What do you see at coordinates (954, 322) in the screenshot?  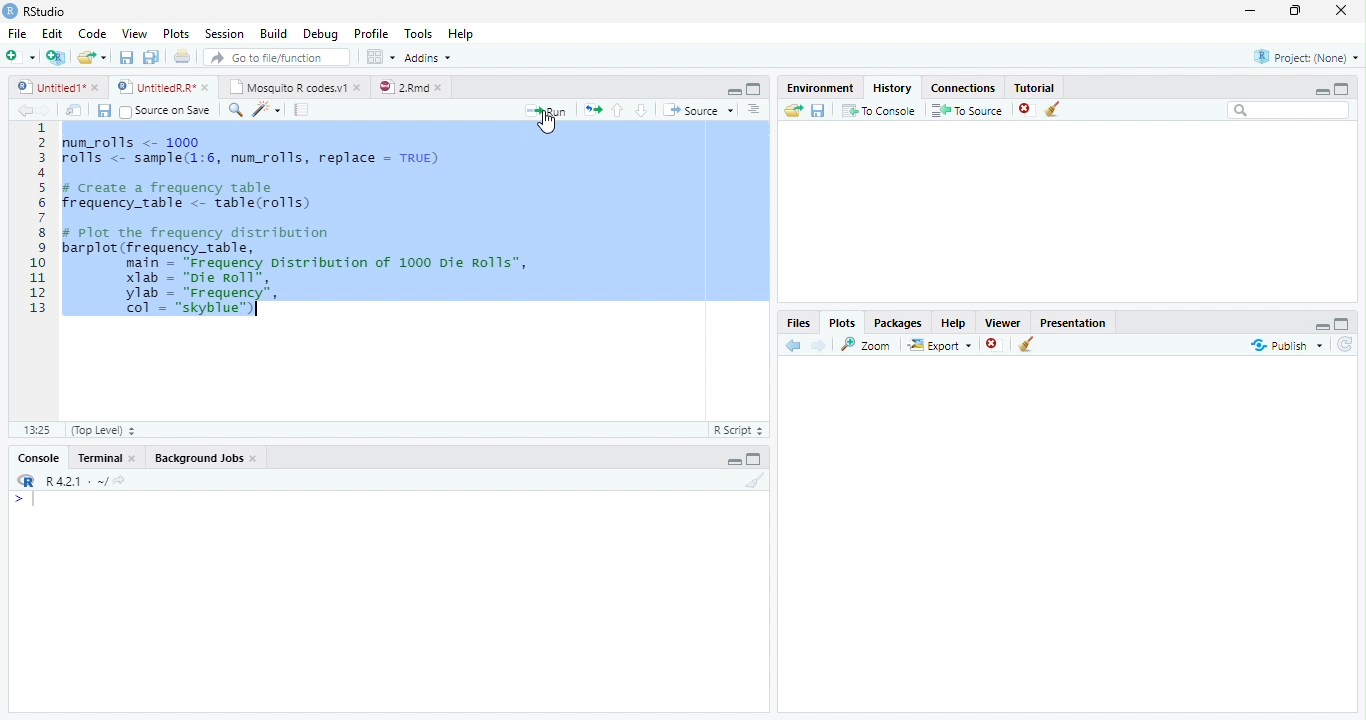 I see `Help` at bounding box center [954, 322].